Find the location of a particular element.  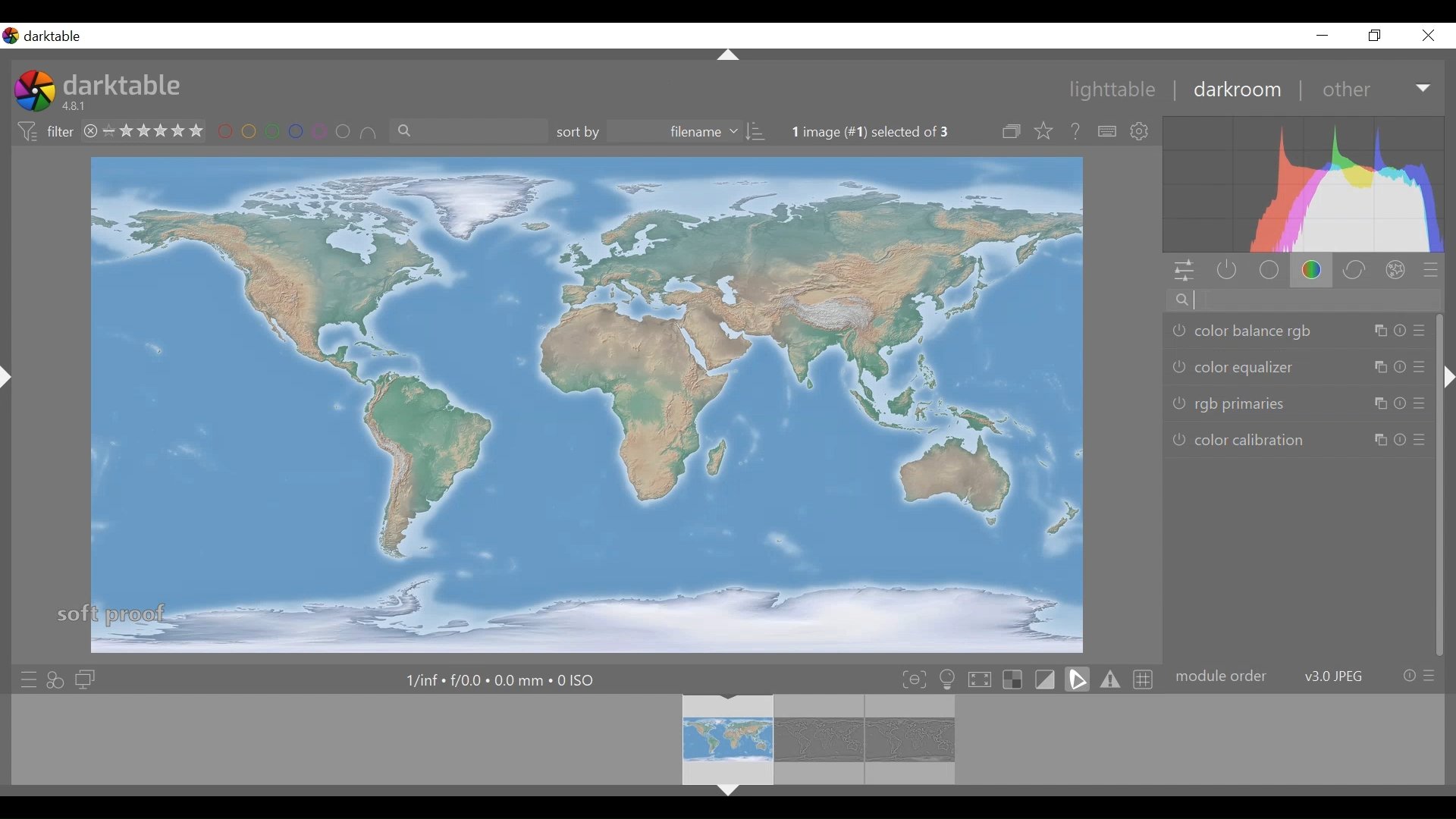

rgb primaries is located at coordinates (1302, 403).